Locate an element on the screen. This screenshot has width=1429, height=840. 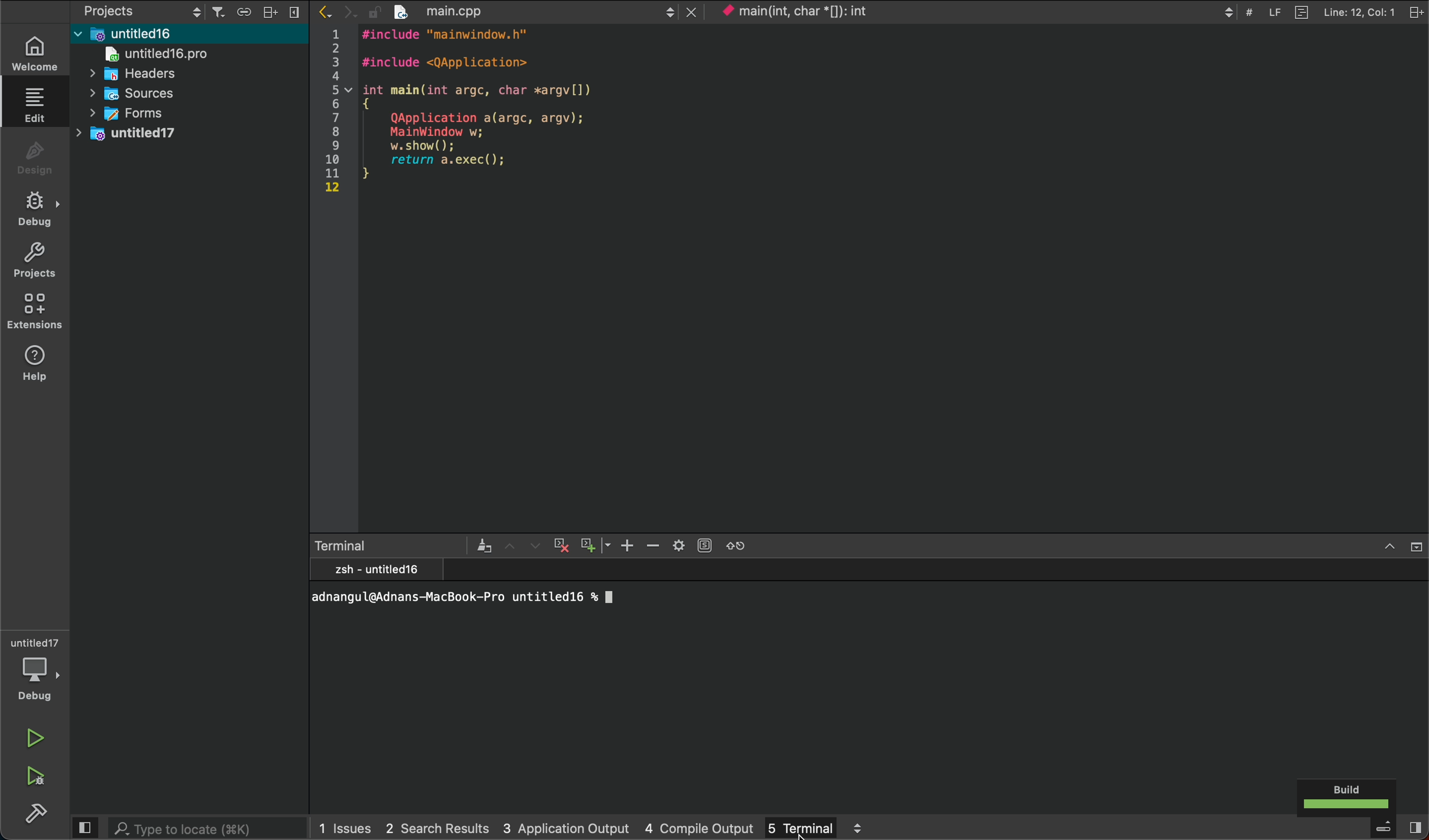
zoom in is located at coordinates (627, 548).